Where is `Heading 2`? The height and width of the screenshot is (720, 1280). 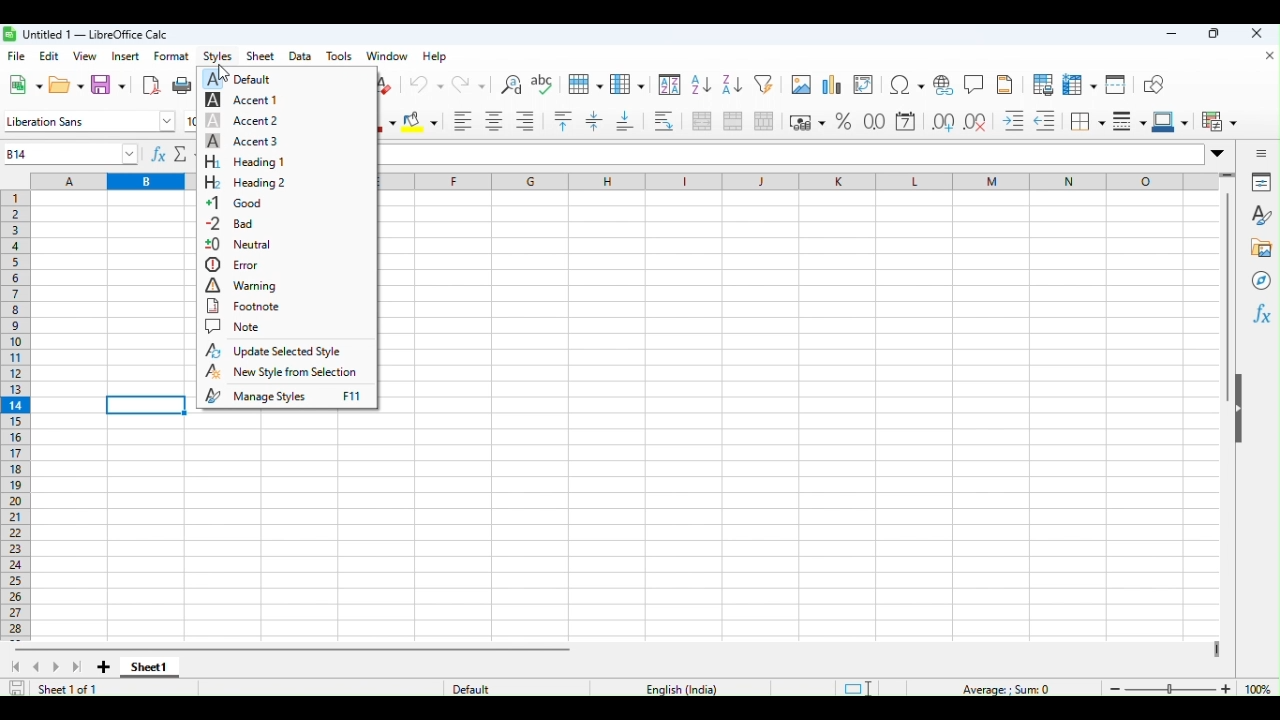
Heading 2 is located at coordinates (242, 182).